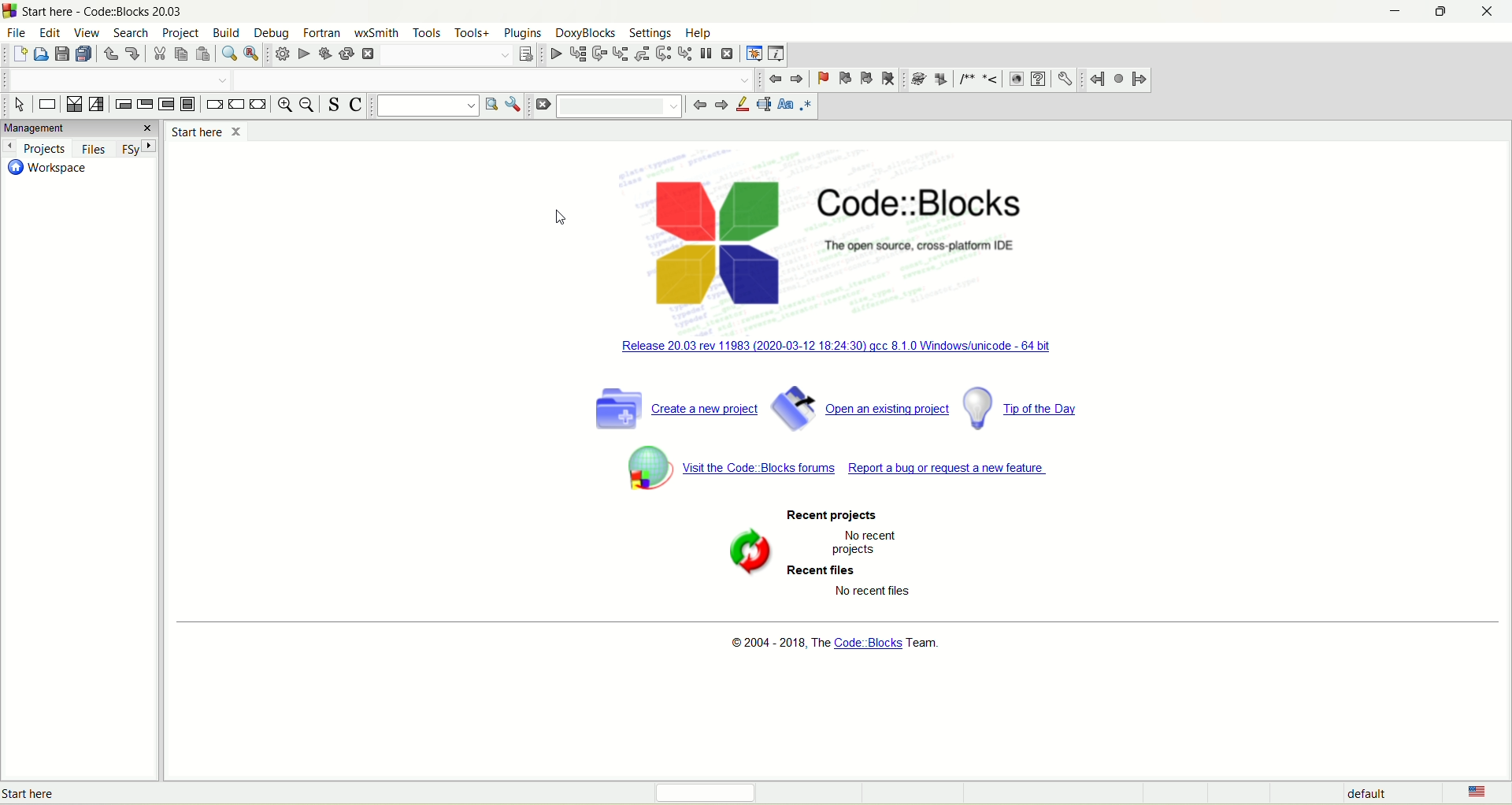 The image size is (1512, 805). What do you see at coordinates (754, 53) in the screenshot?
I see `debugging` at bounding box center [754, 53].